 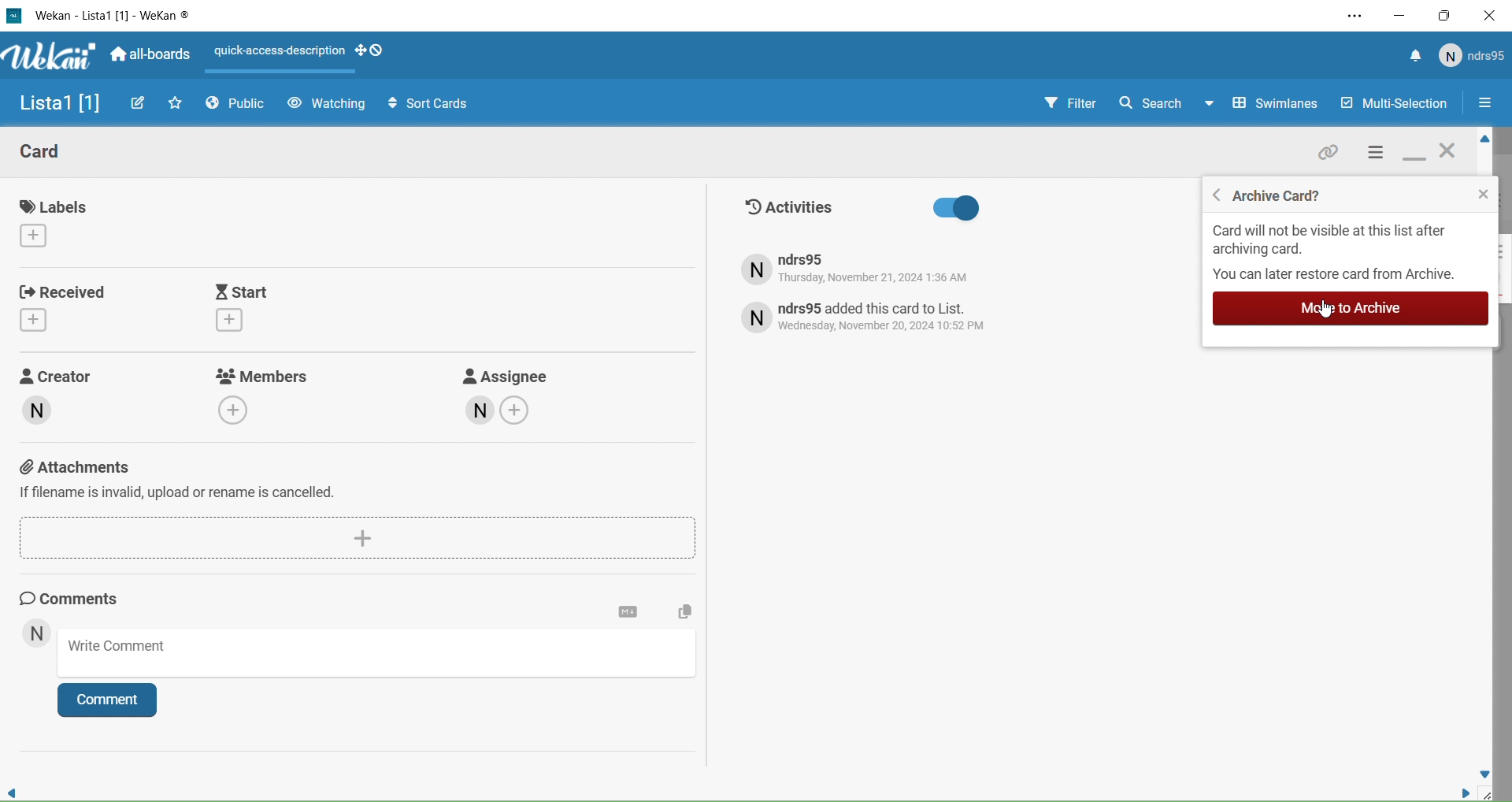 I want to click on Labels, so click(x=50, y=222).